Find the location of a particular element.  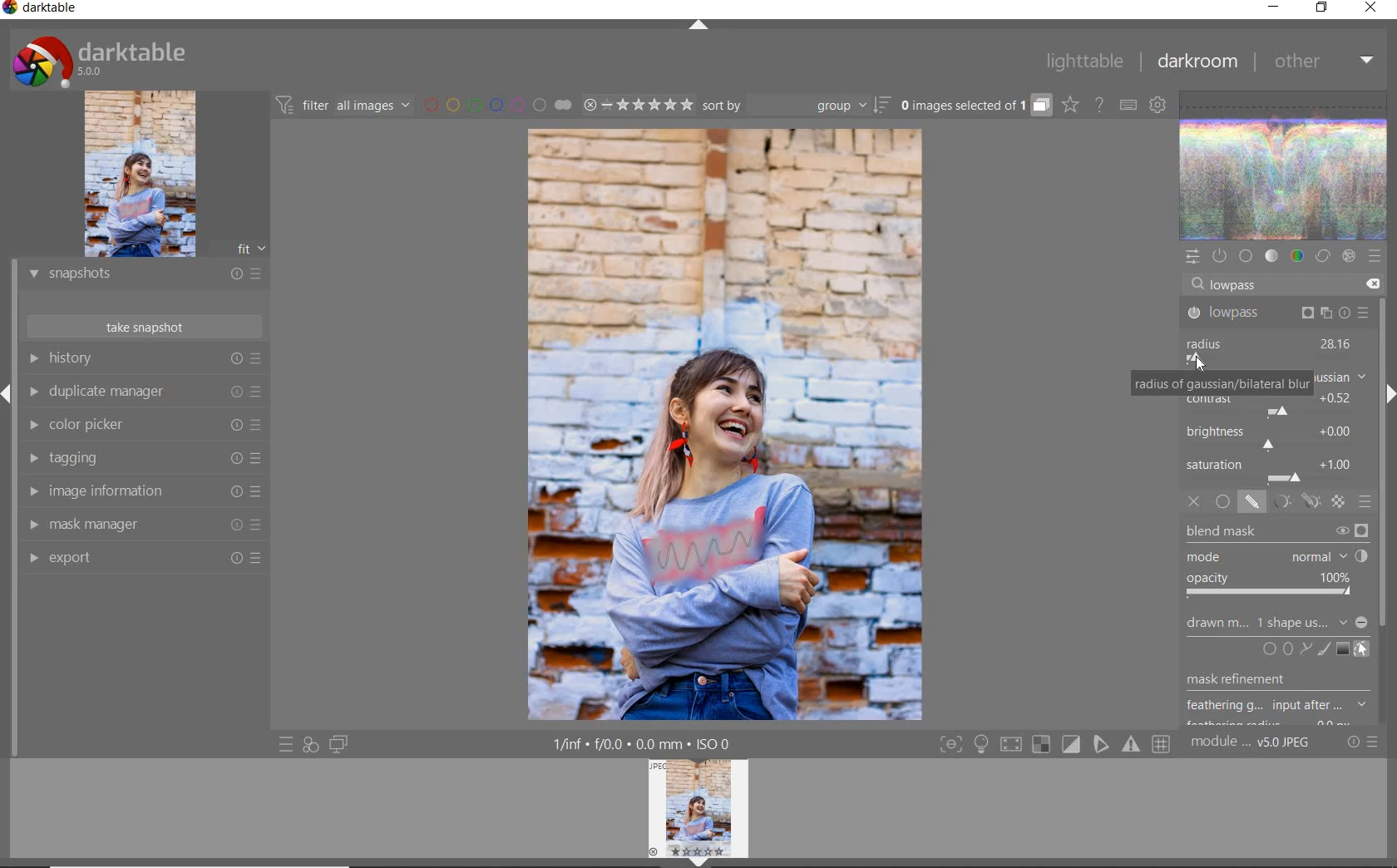

module..v50JPEG is located at coordinates (1253, 743).